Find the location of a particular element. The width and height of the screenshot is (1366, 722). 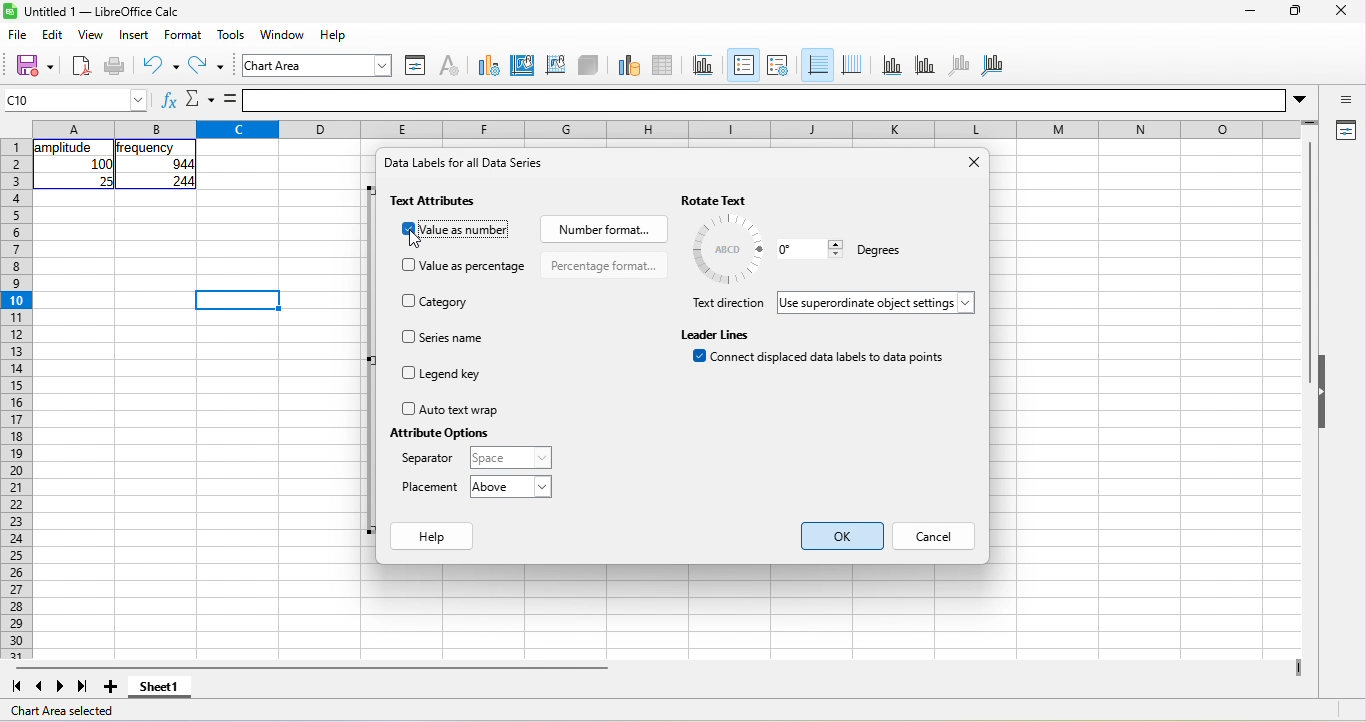

series name is located at coordinates (446, 337).